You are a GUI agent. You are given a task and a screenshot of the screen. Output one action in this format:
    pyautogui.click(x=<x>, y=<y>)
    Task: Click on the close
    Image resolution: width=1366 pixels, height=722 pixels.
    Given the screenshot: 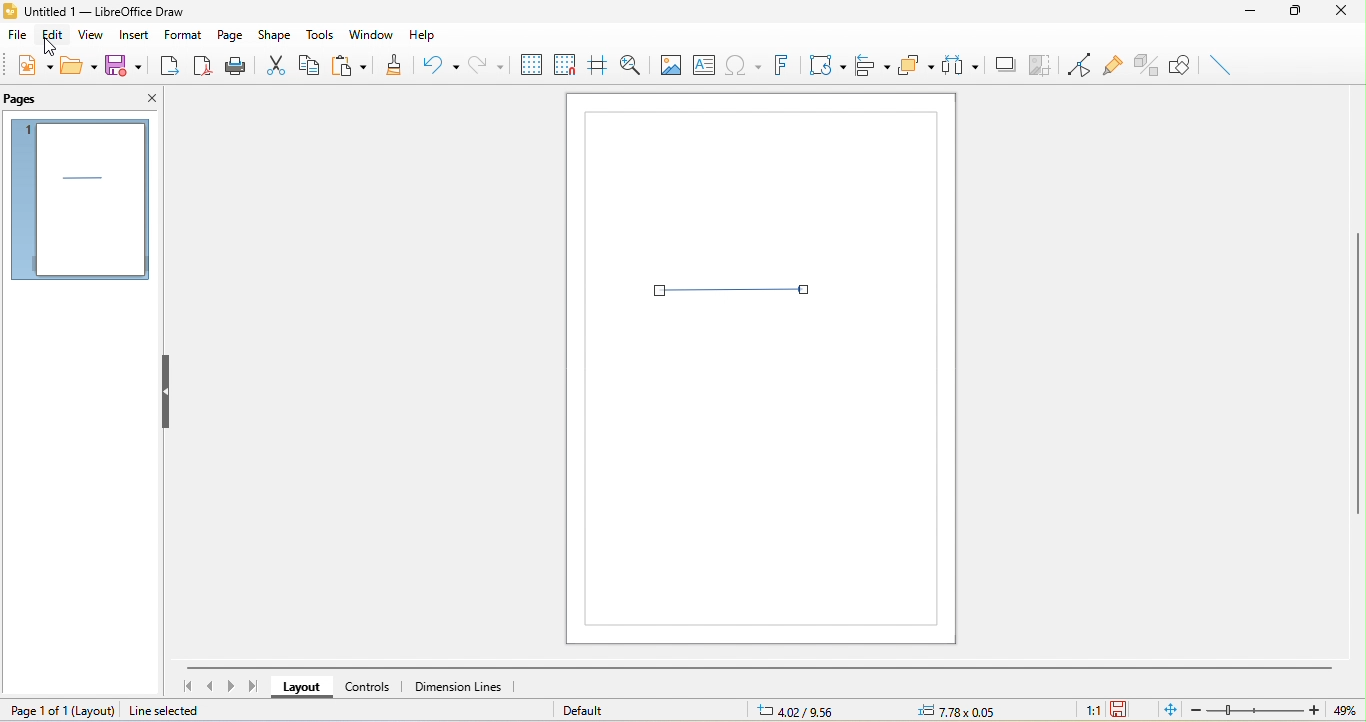 What is the action you would take?
    pyautogui.click(x=1345, y=13)
    